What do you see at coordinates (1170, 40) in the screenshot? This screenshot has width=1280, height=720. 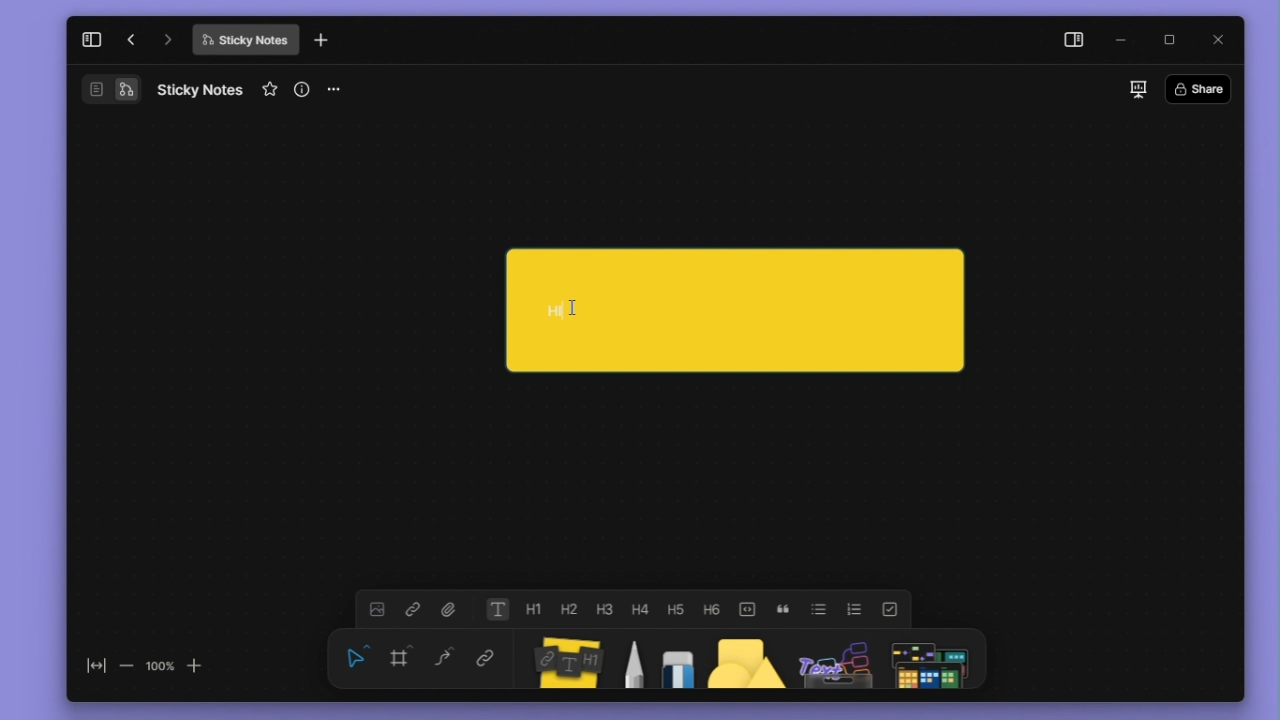 I see `maximize` at bounding box center [1170, 40].